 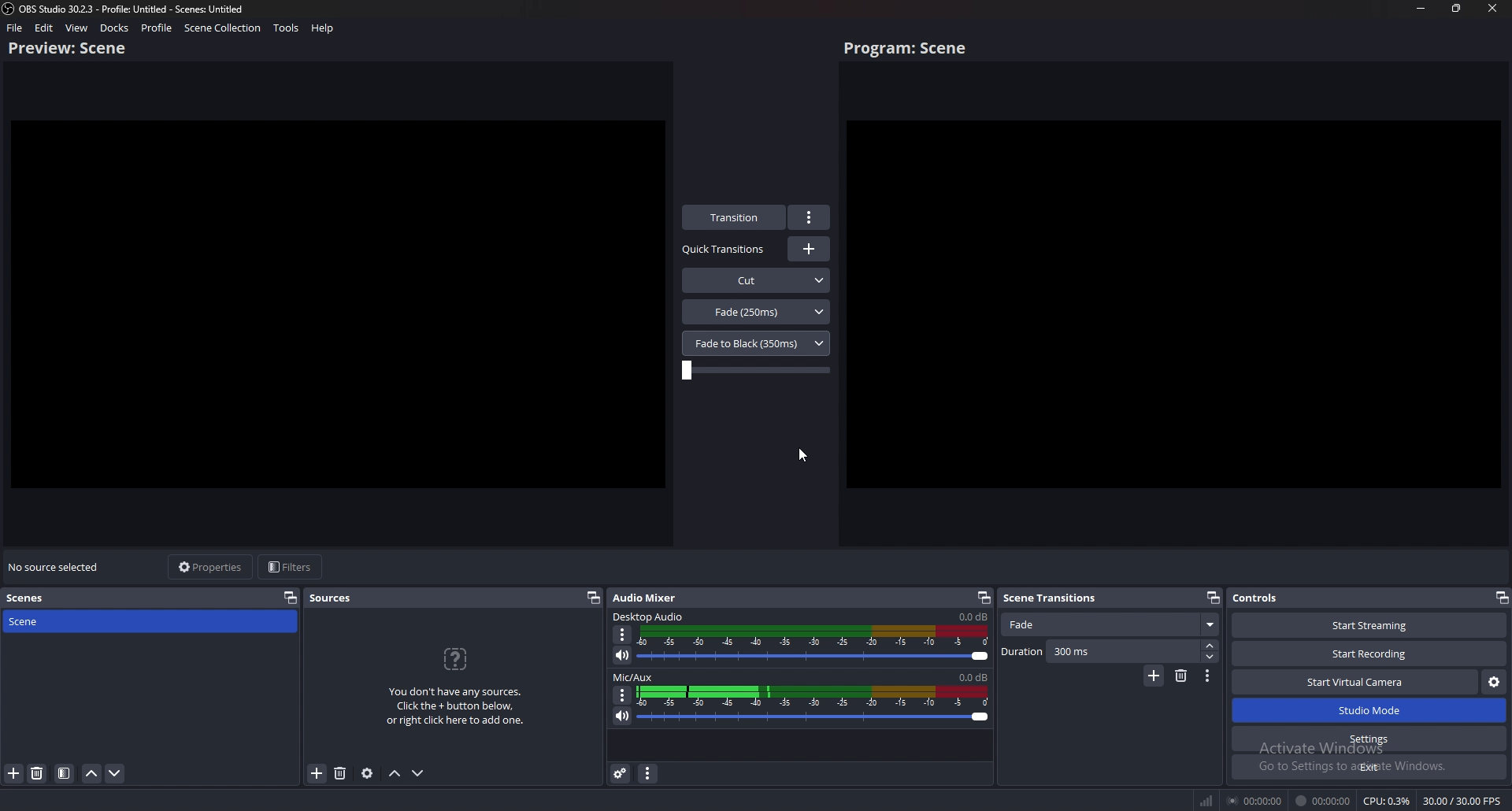 What do you see at coordinates (805, 454) in the screenshot?
I see `cursor` at bounding box center [805, 454].